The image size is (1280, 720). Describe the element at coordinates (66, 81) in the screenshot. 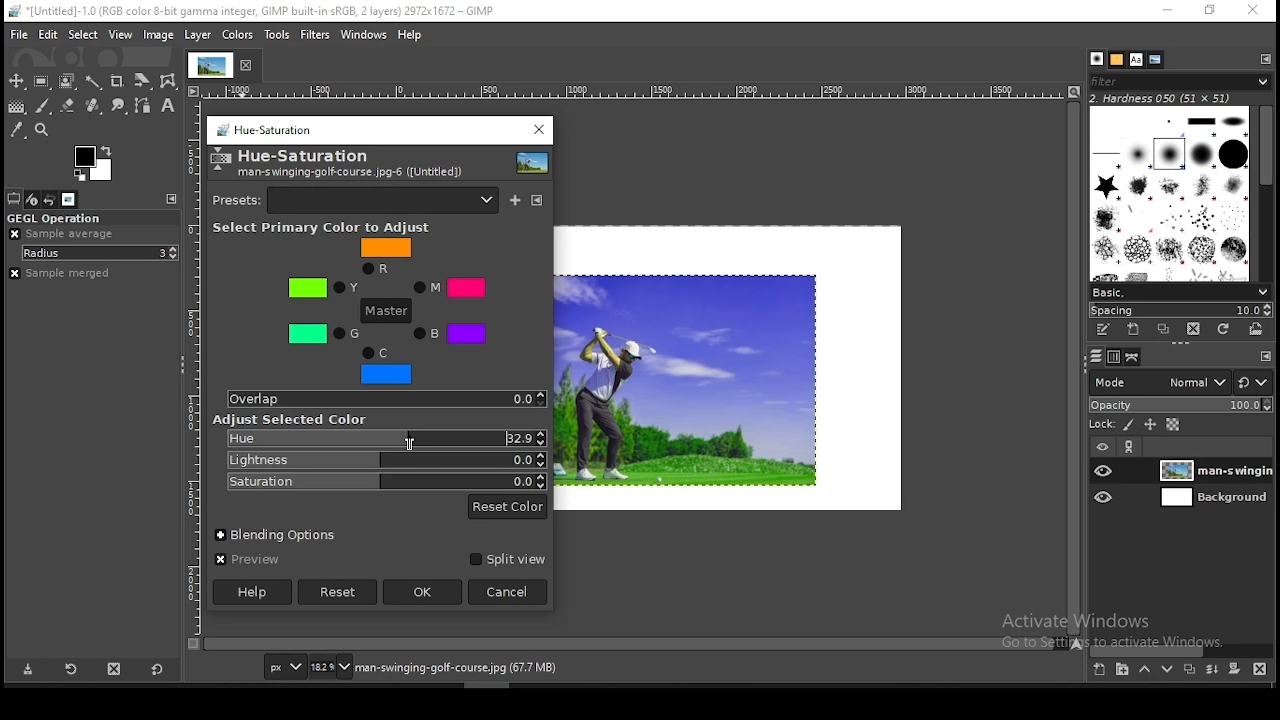

I see `foreground select tool` at that location.